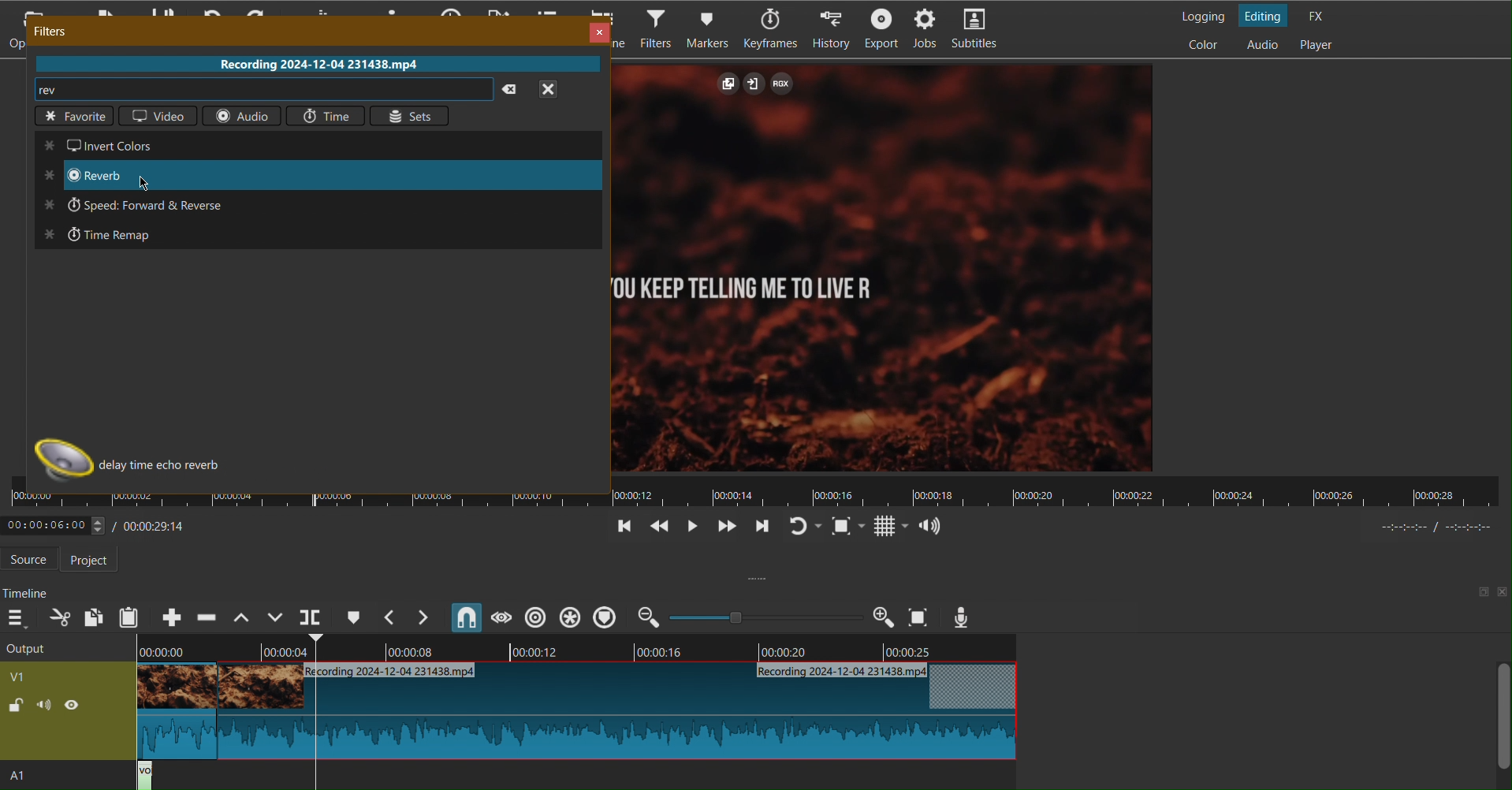 This screenshot has width=1512, height=790. I want to click on Filters, so click(653, 28).